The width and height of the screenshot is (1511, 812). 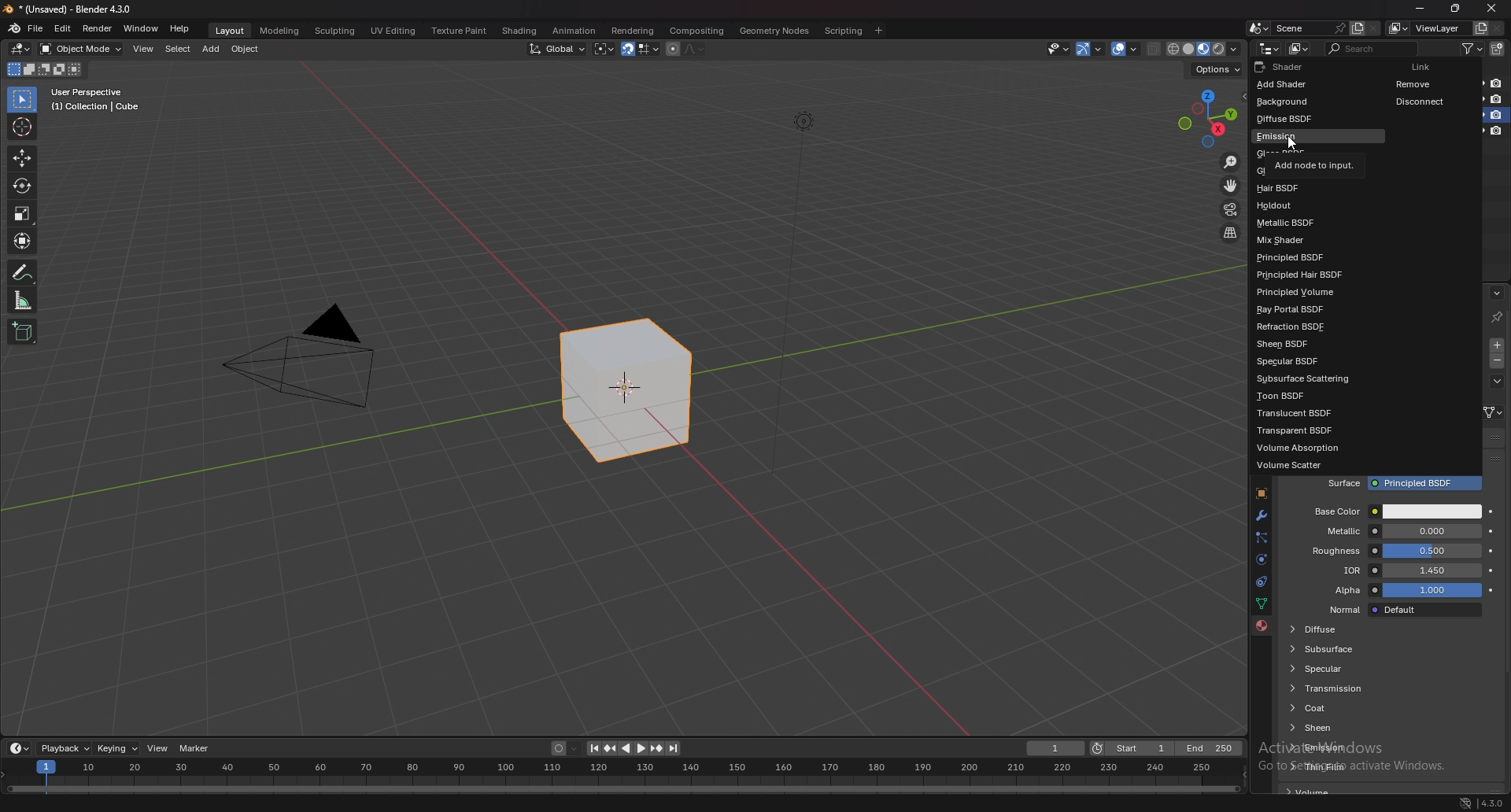 What do you see at coordinates (1497, 382) in the screenshot?
I see `dropdown` at bounding box center [1497, 382].